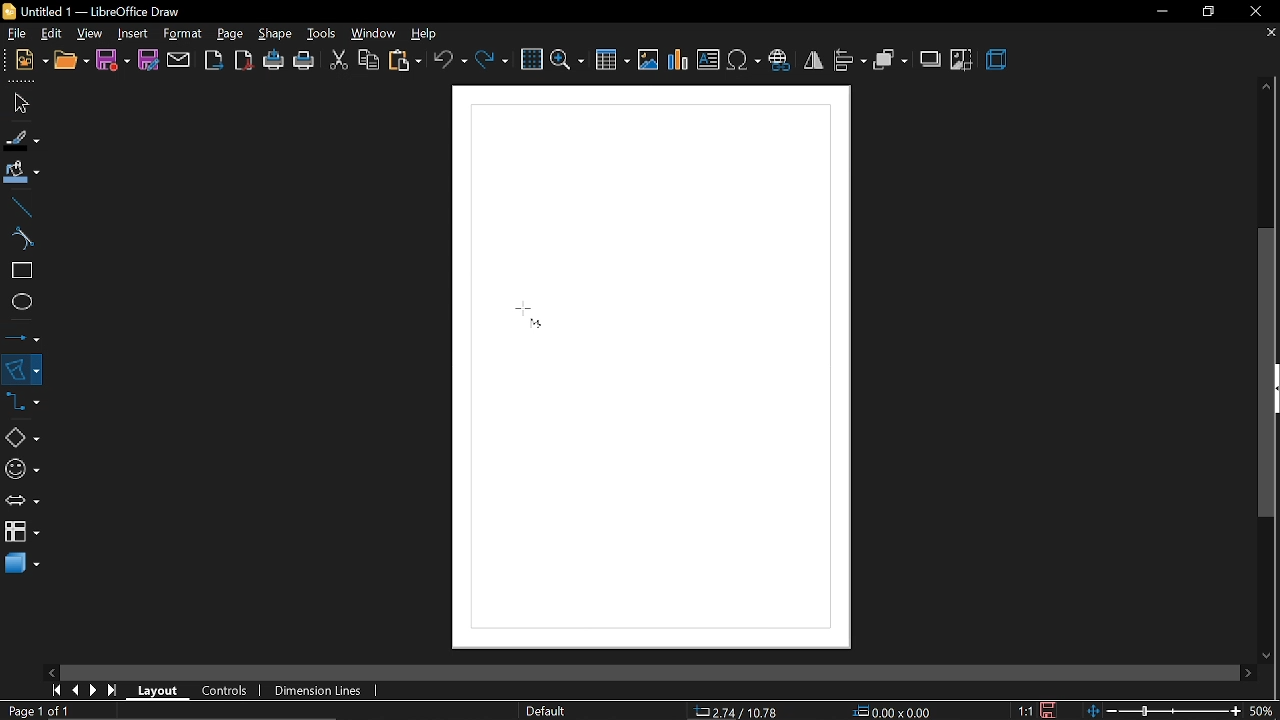  I want to click on close current tab, so click(1267, 34).